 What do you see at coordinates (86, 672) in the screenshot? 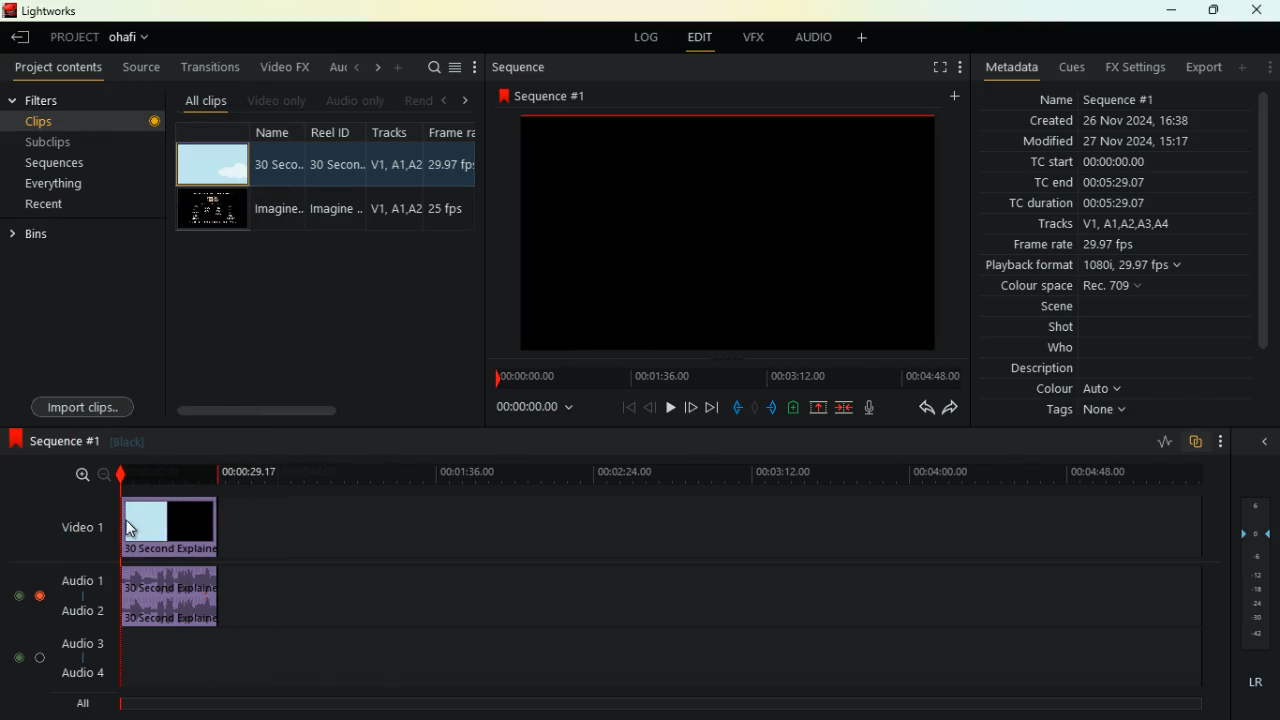
I see `audio4` at bounding box center [86, 672].